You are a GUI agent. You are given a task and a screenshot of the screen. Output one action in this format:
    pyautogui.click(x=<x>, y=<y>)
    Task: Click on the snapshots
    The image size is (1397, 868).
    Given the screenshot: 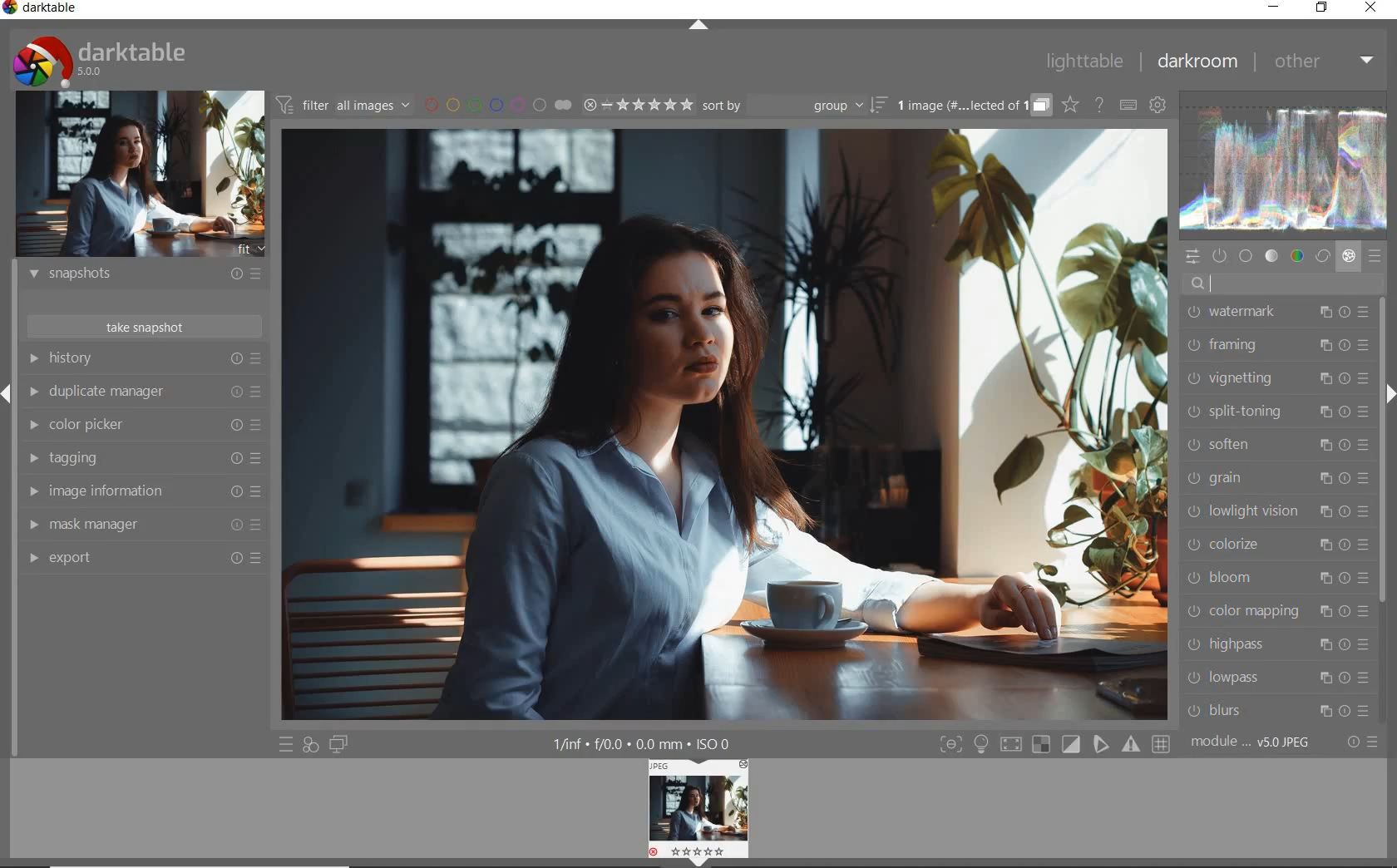 What is the action you would take?
    pyautogui.click(x=144, y=277)
    